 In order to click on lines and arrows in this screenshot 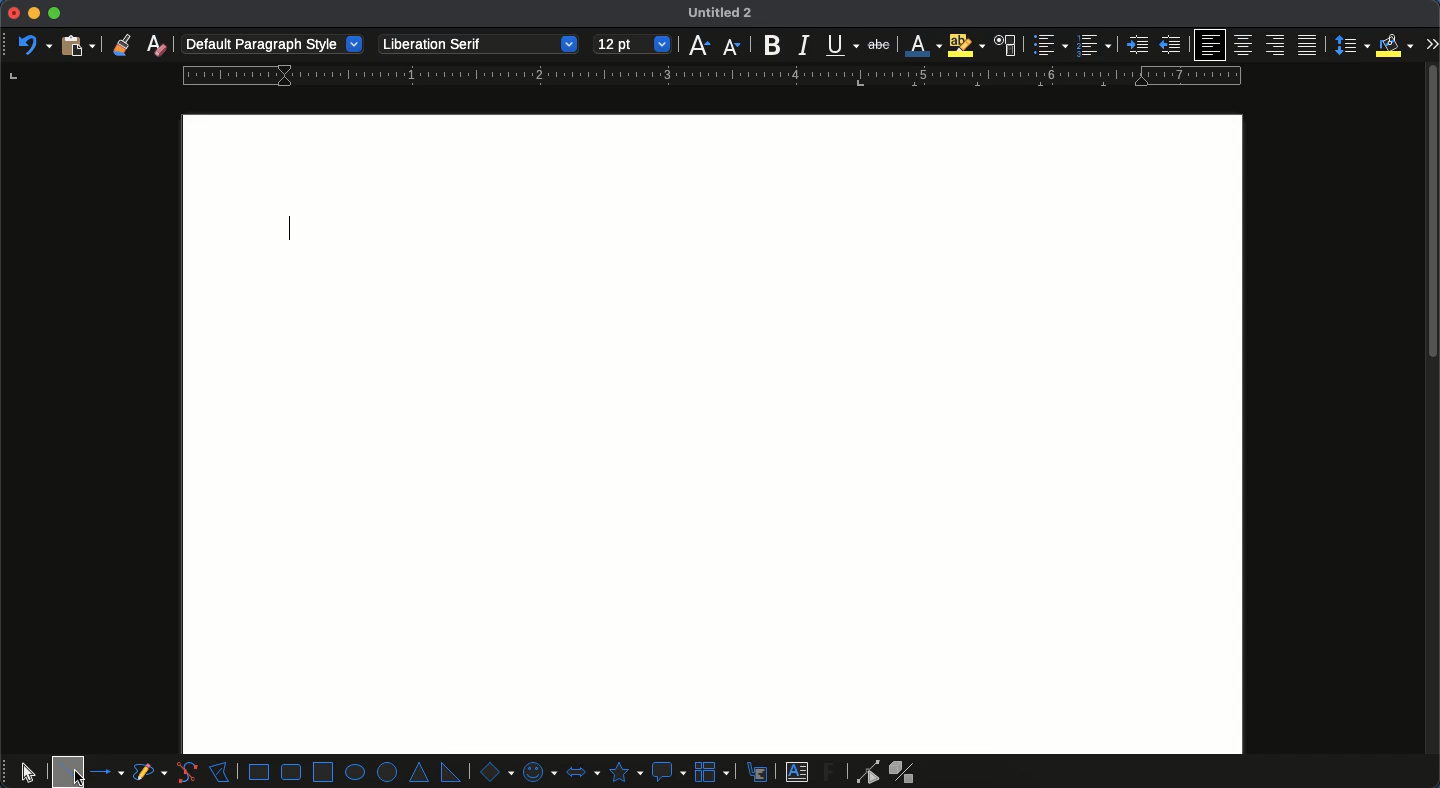, I will do `click(109, 772)`.